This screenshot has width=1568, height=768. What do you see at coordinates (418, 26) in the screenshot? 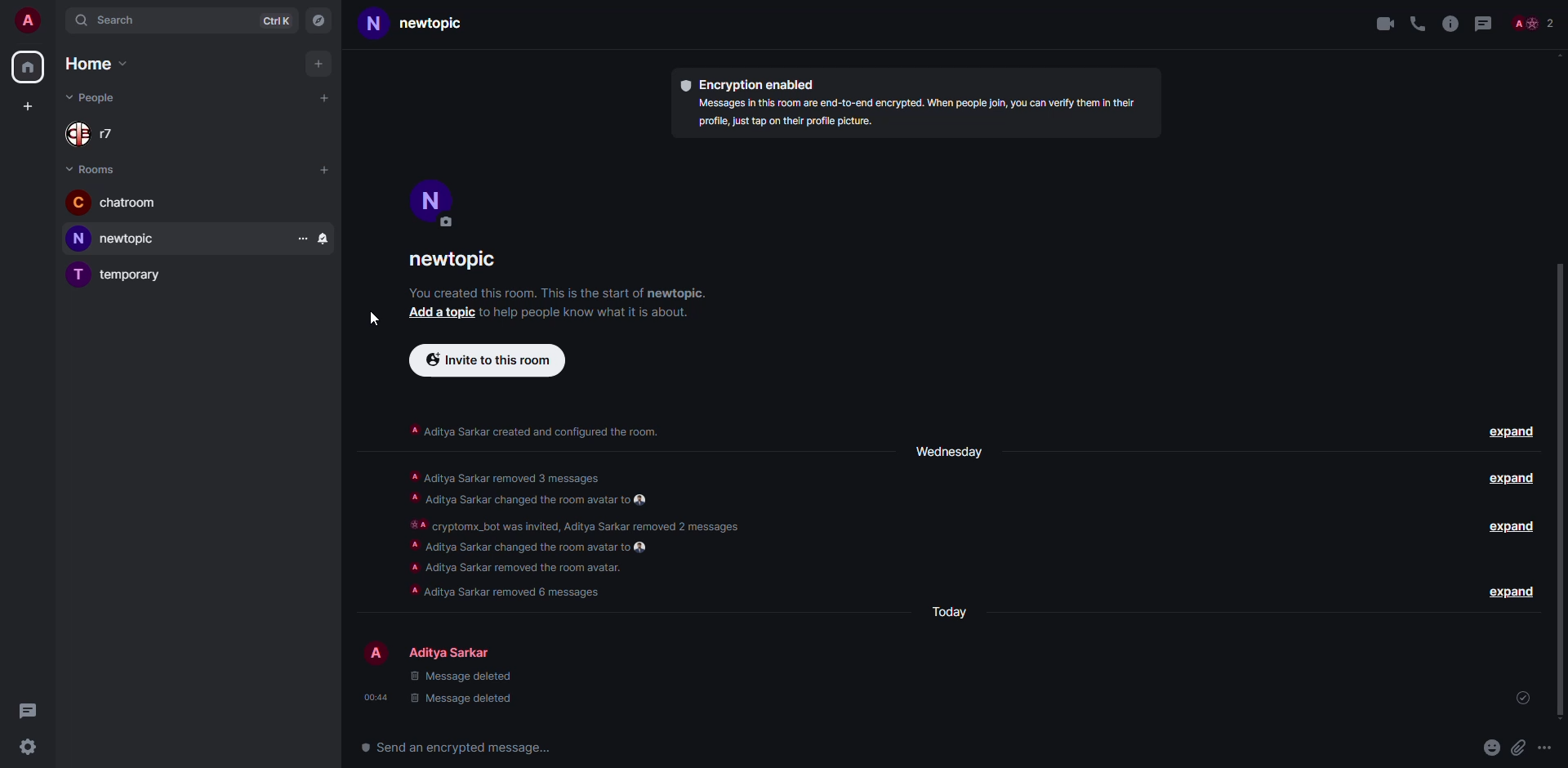
I see `room` at bounding box center [418, 26].